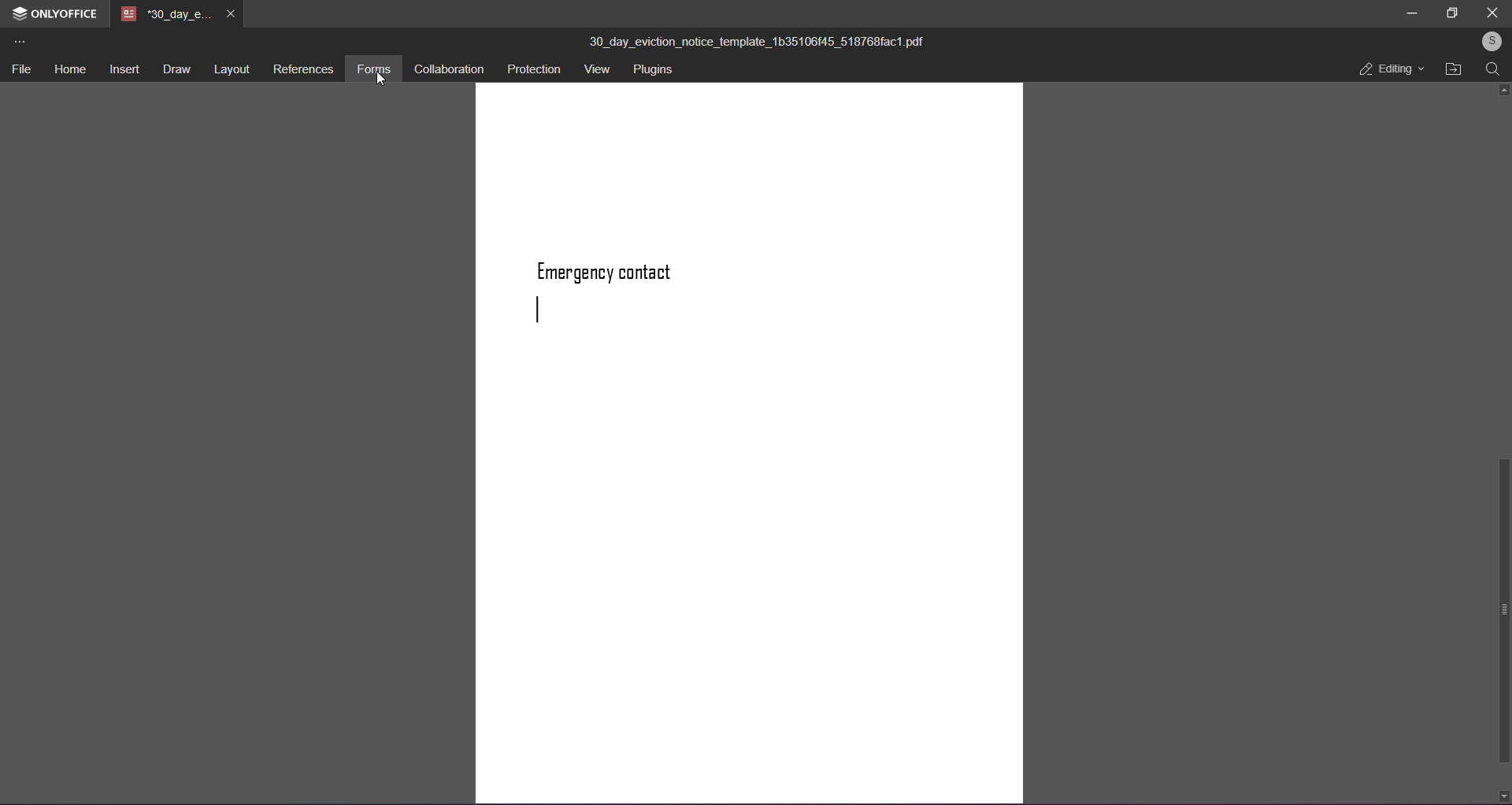 The height and width of the screenshot is (805, 1512). Describe the element at coordinates (535, 69) in the screenshot. I see `protection` at that location.